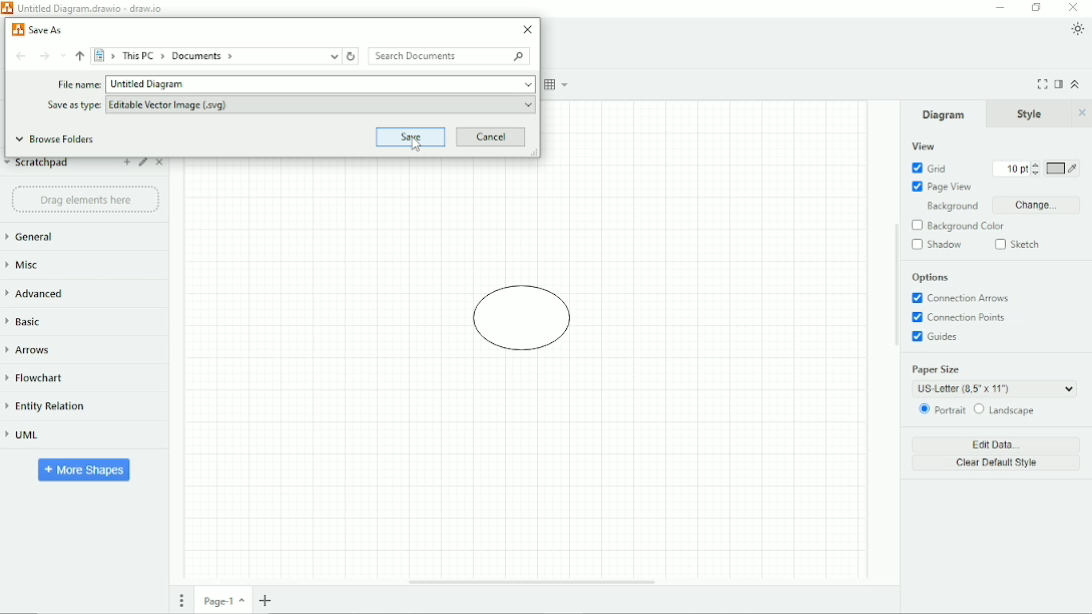 The image size is (1092, 614). I want to click on Appearance, so click(1078, 29).